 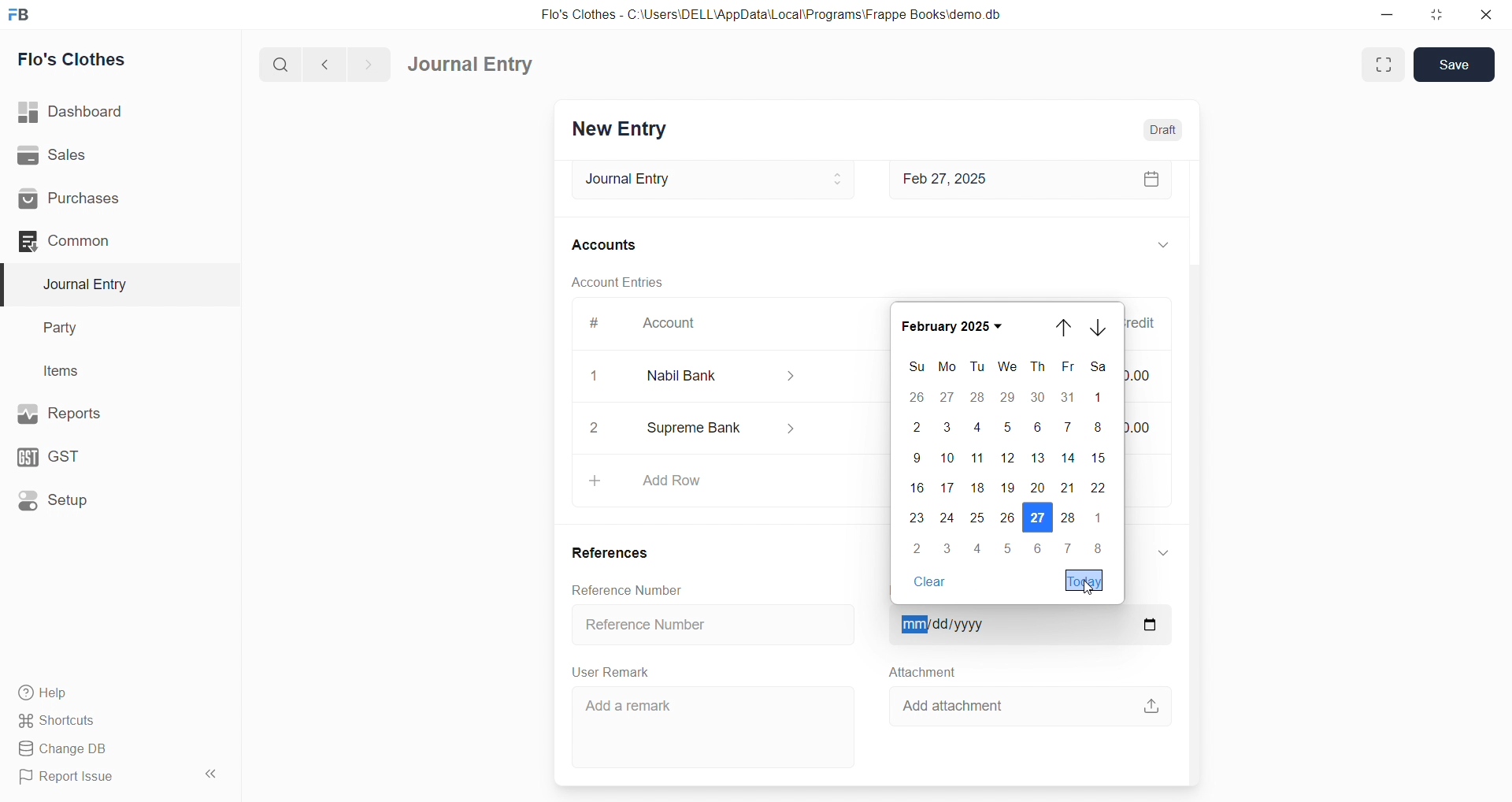 I want to click on search, so click(x=278, y=66).